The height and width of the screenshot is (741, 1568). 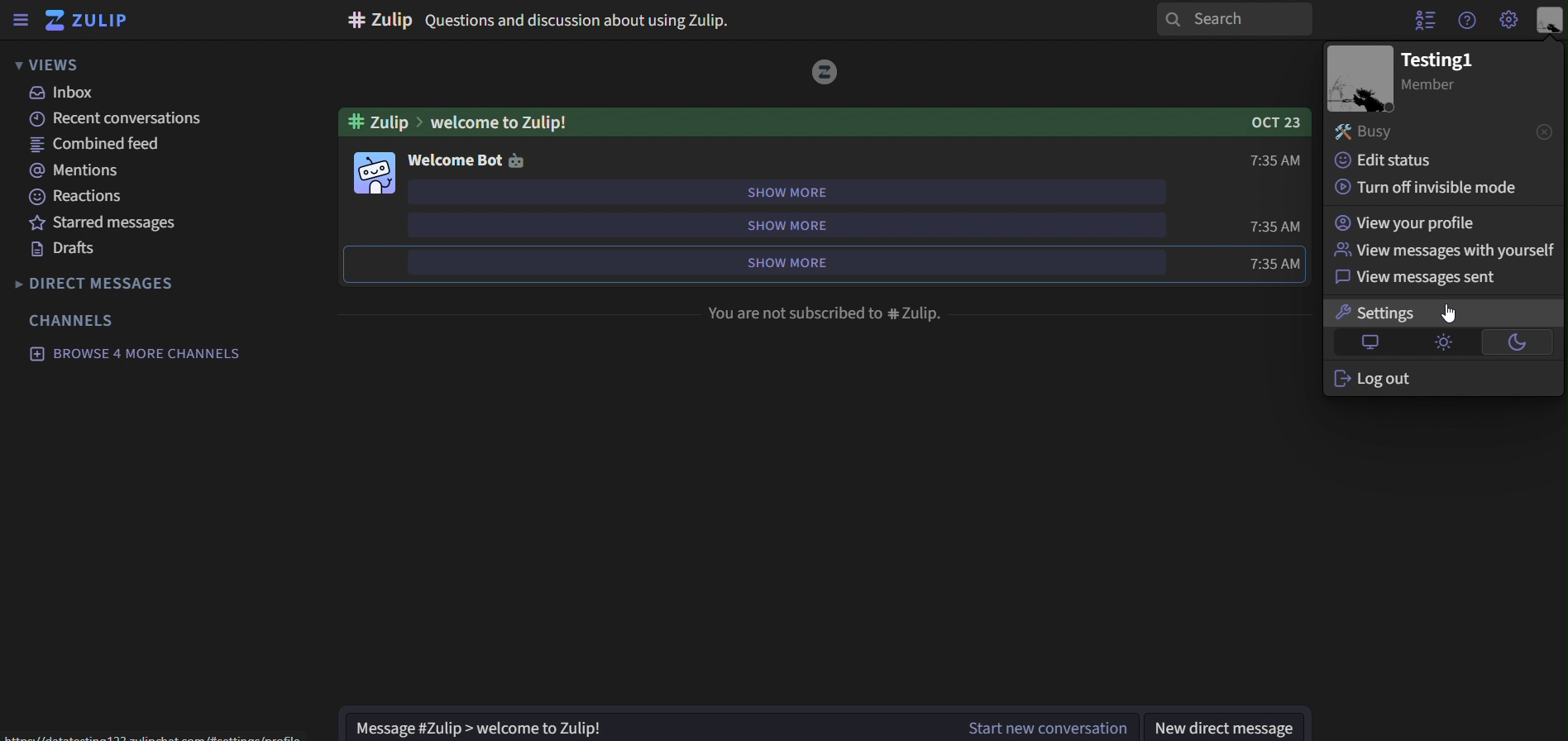 What do you see at coordinates (497, 122) in the screenshot?
I see `#Zulip > welcome to Zulip!` at bounding box center [497, 122].